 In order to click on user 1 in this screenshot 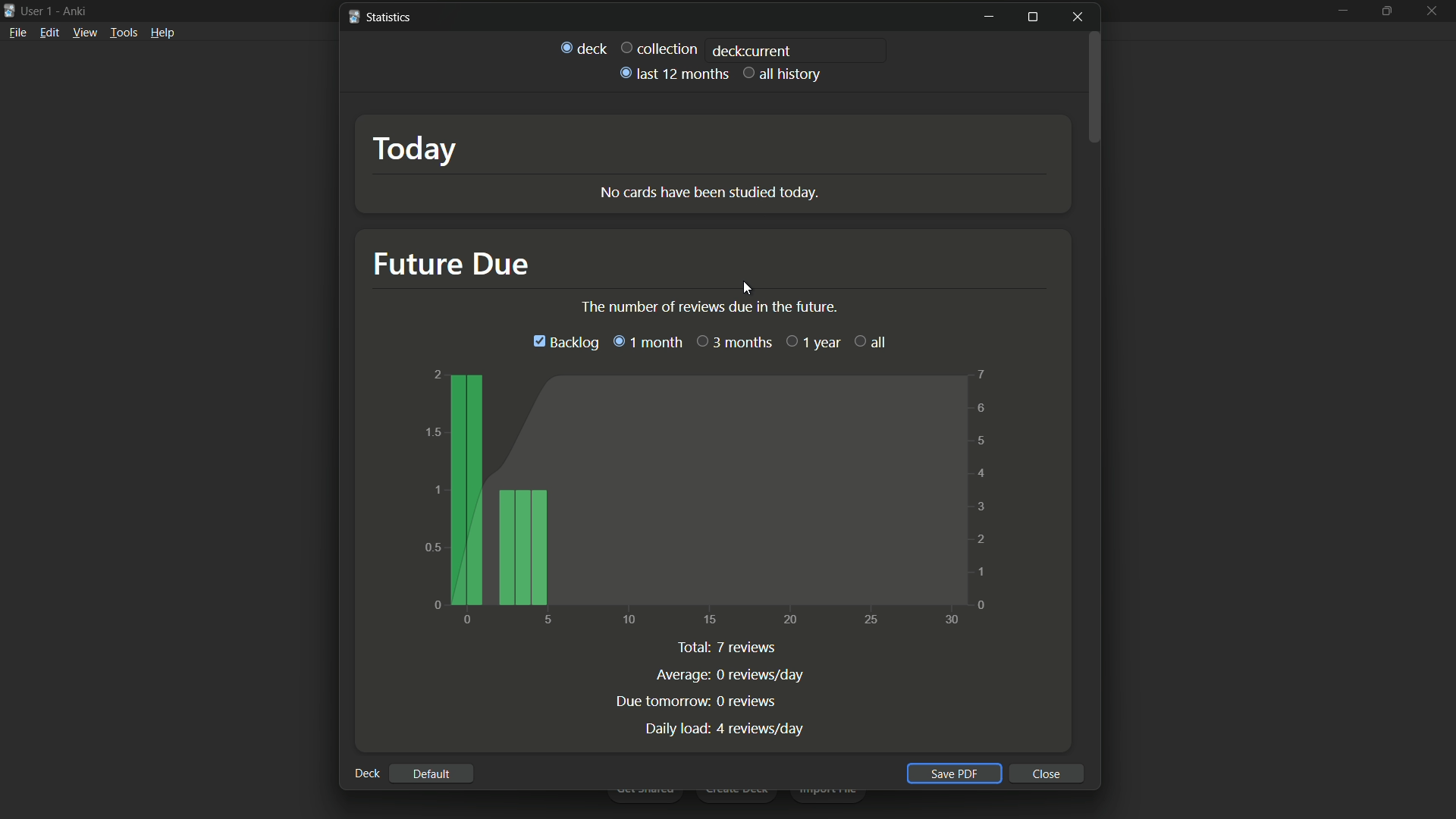, I will do `click(37, 11)`.